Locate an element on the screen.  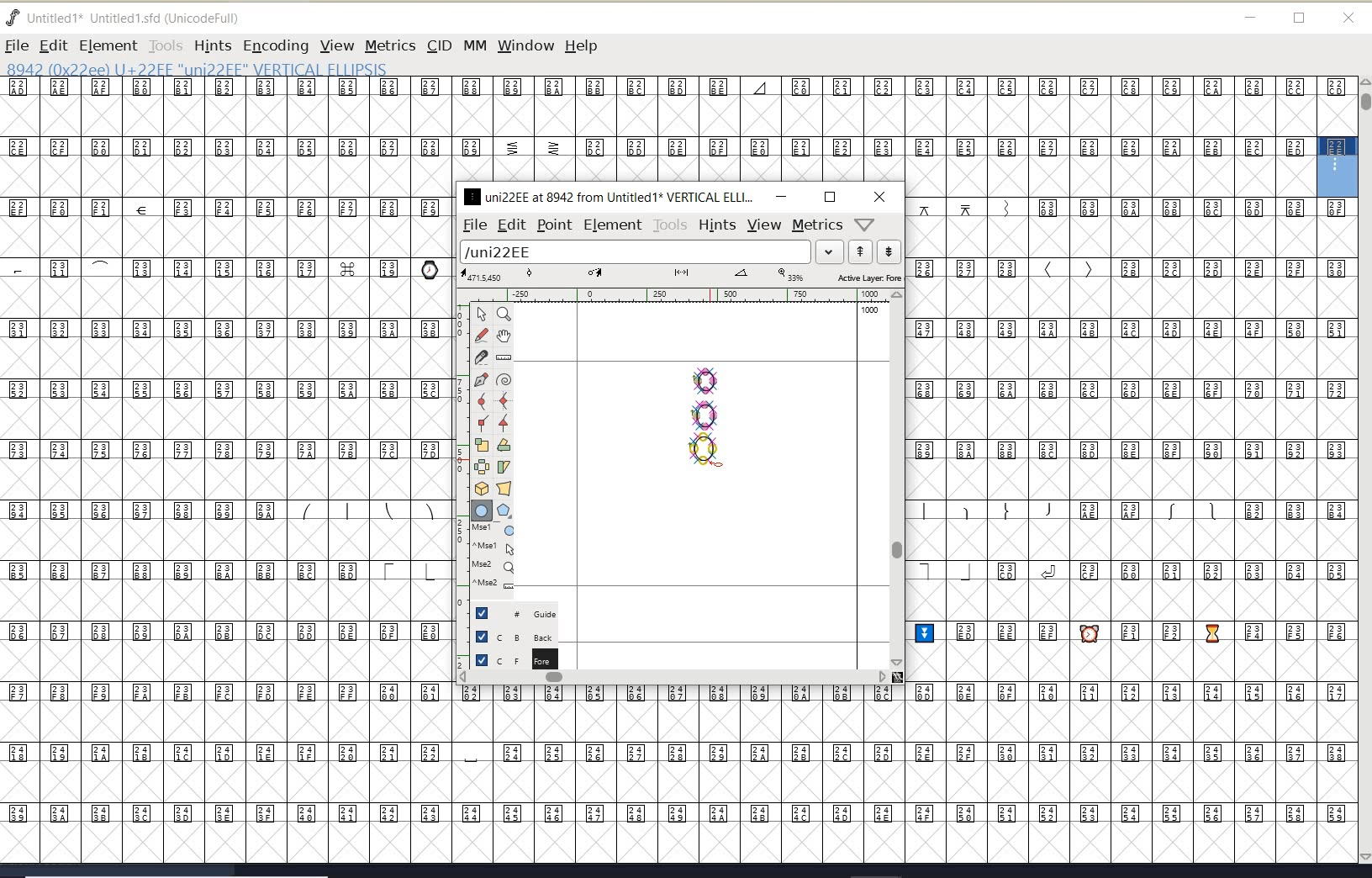
minimize is located at coordinates (1251, 18).